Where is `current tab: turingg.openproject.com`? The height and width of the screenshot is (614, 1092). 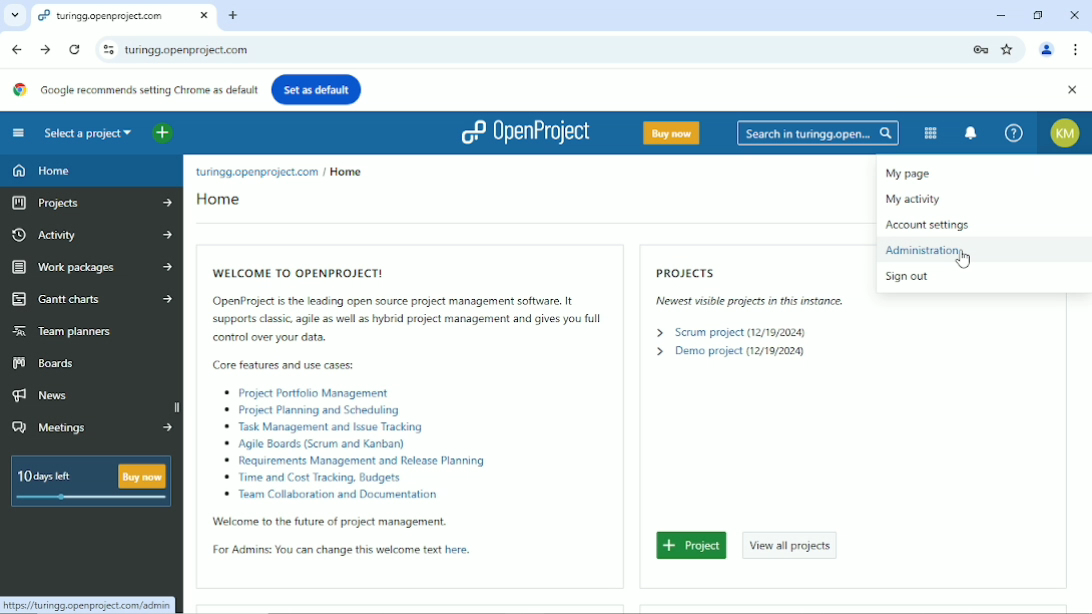
current tab: turingg.openproject.com is located at coordinates (105, 17).